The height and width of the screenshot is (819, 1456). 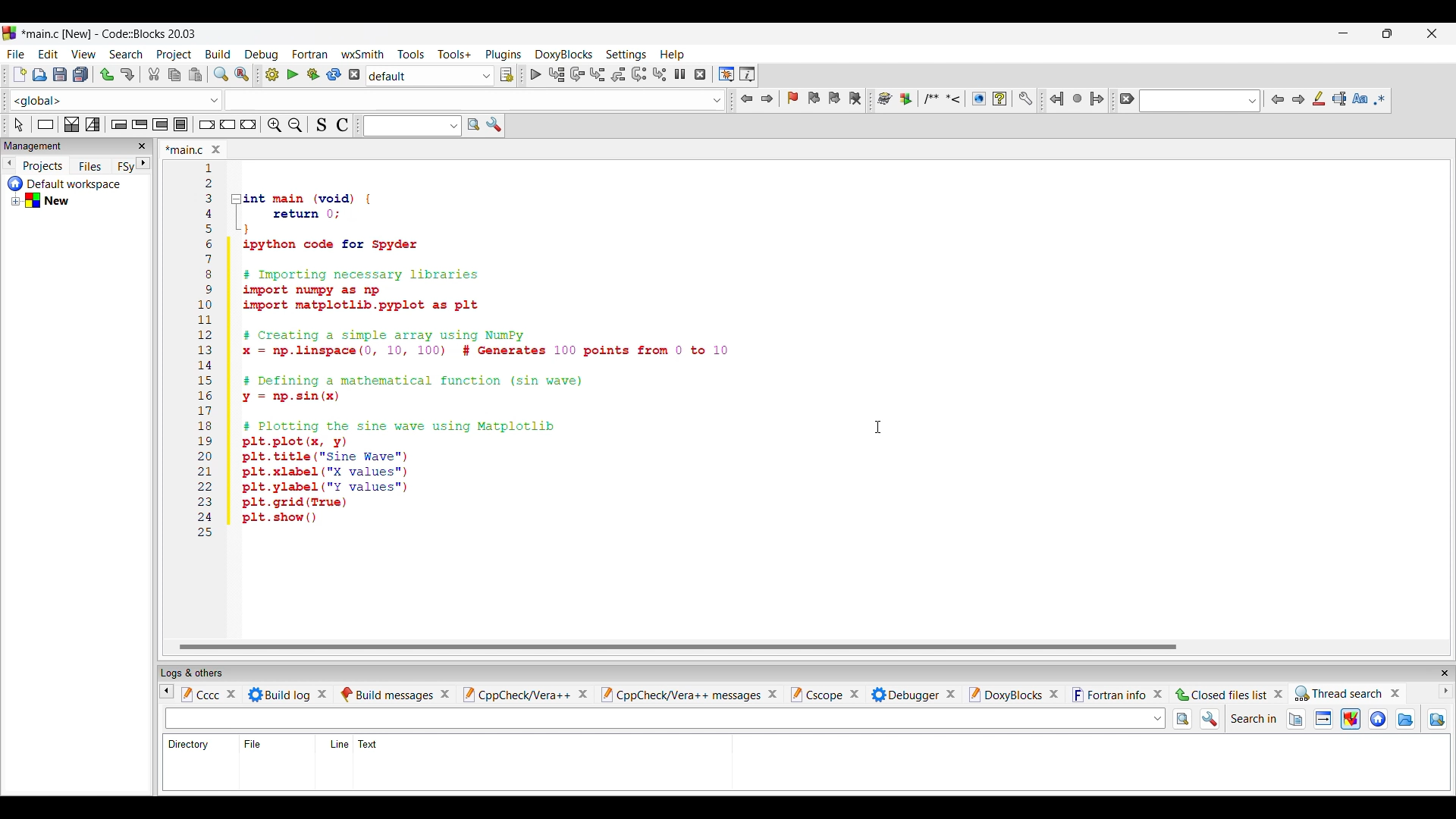 I want to click on Last jump, so click(x=1077, y=96).